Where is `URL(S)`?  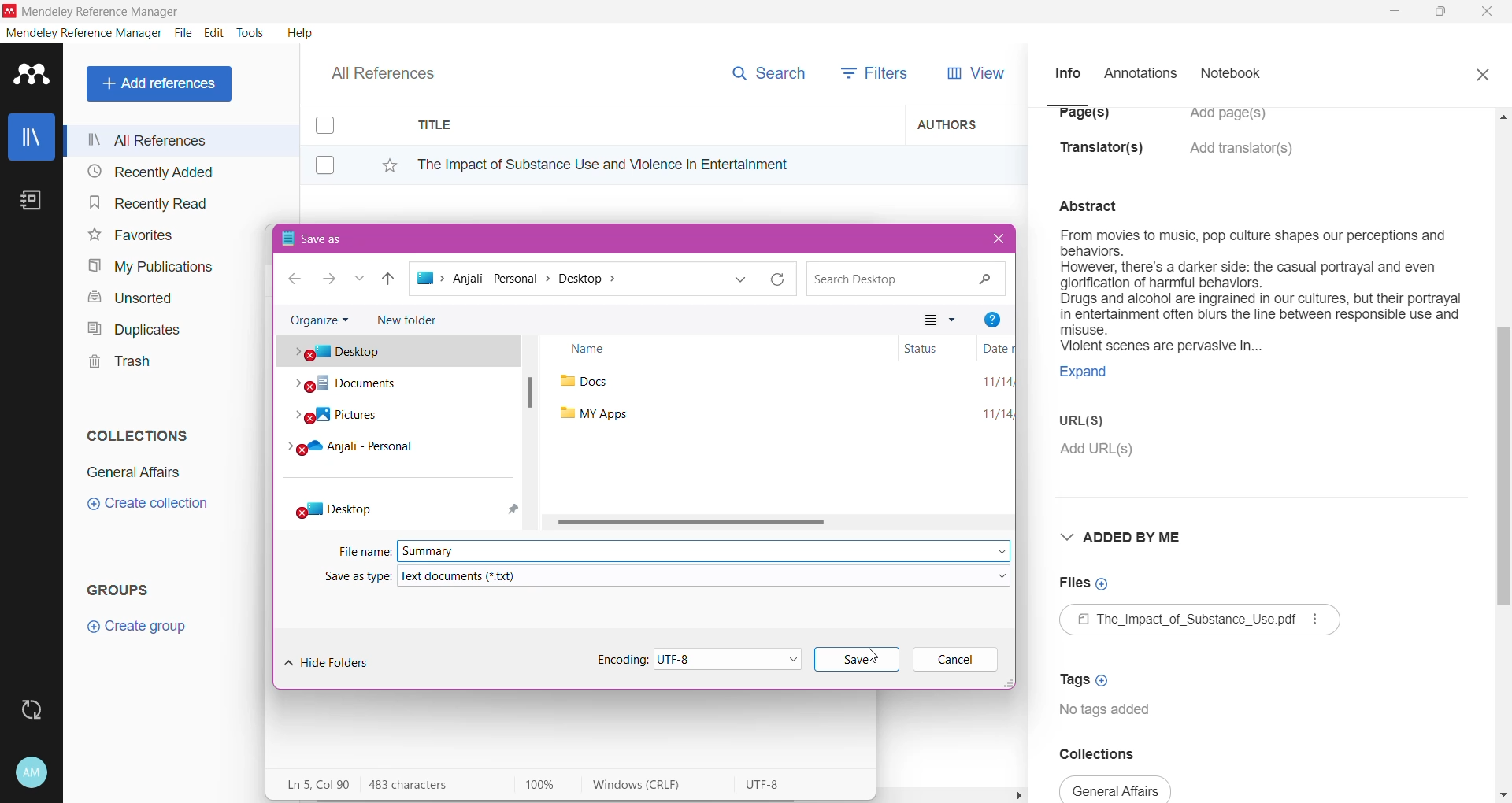
URL(S) is located at coordinates (1093, 423).